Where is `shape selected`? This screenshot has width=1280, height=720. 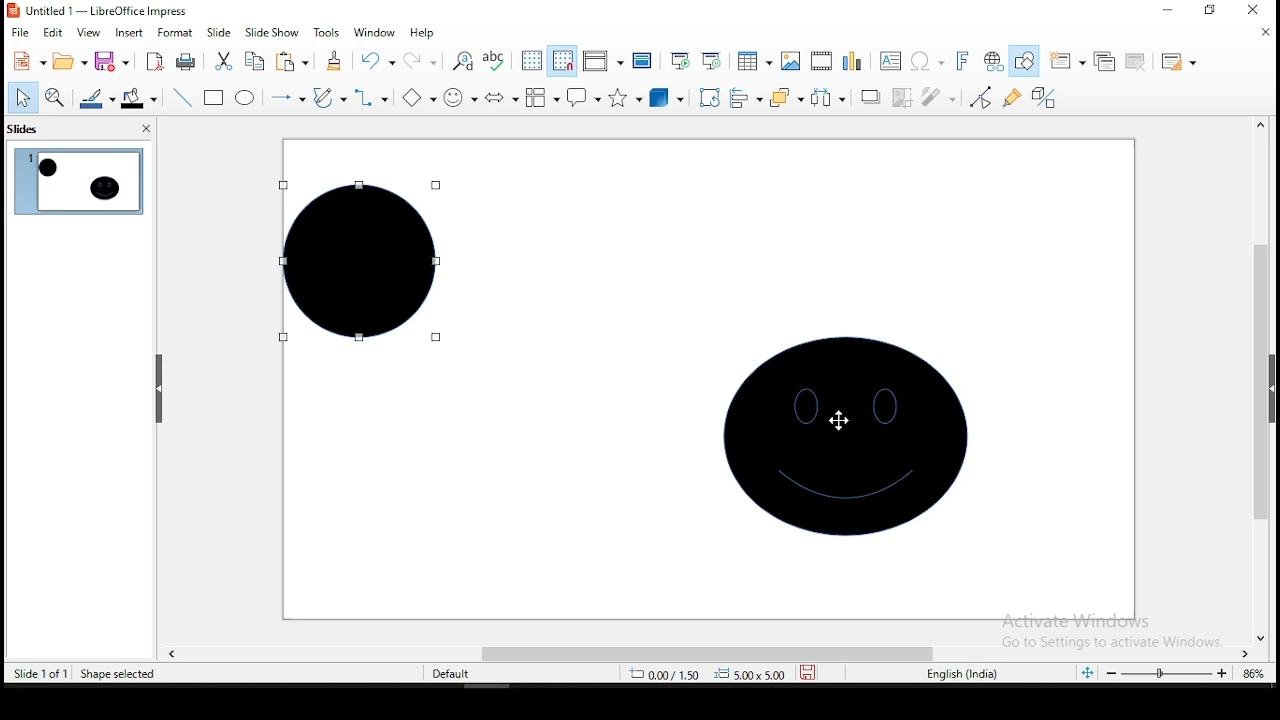
shape selected is located at coordinates (121, 675).